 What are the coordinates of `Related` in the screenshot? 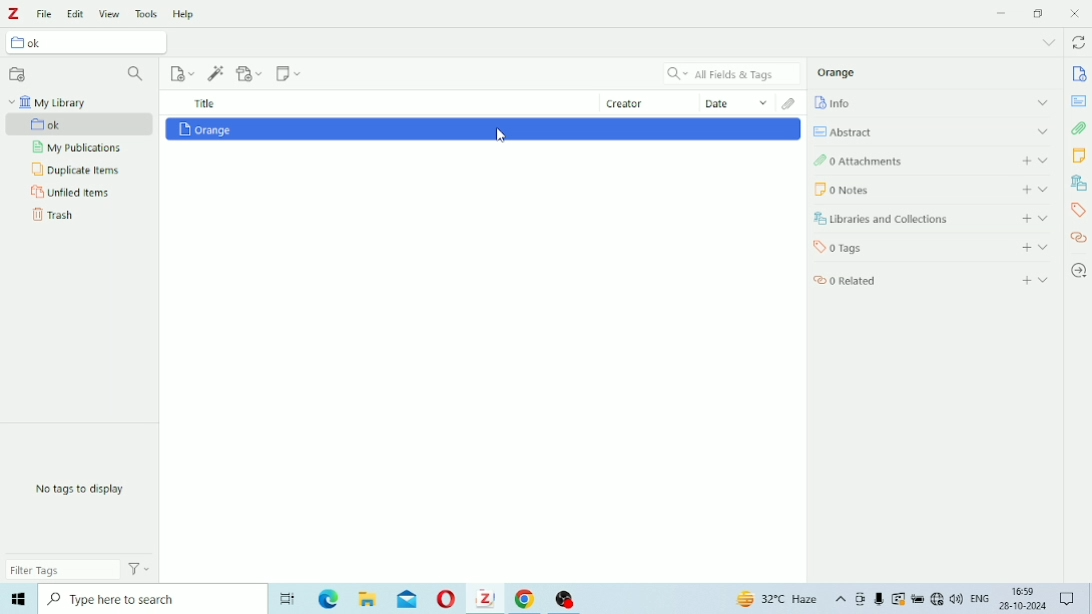 It's located at (933, 278).